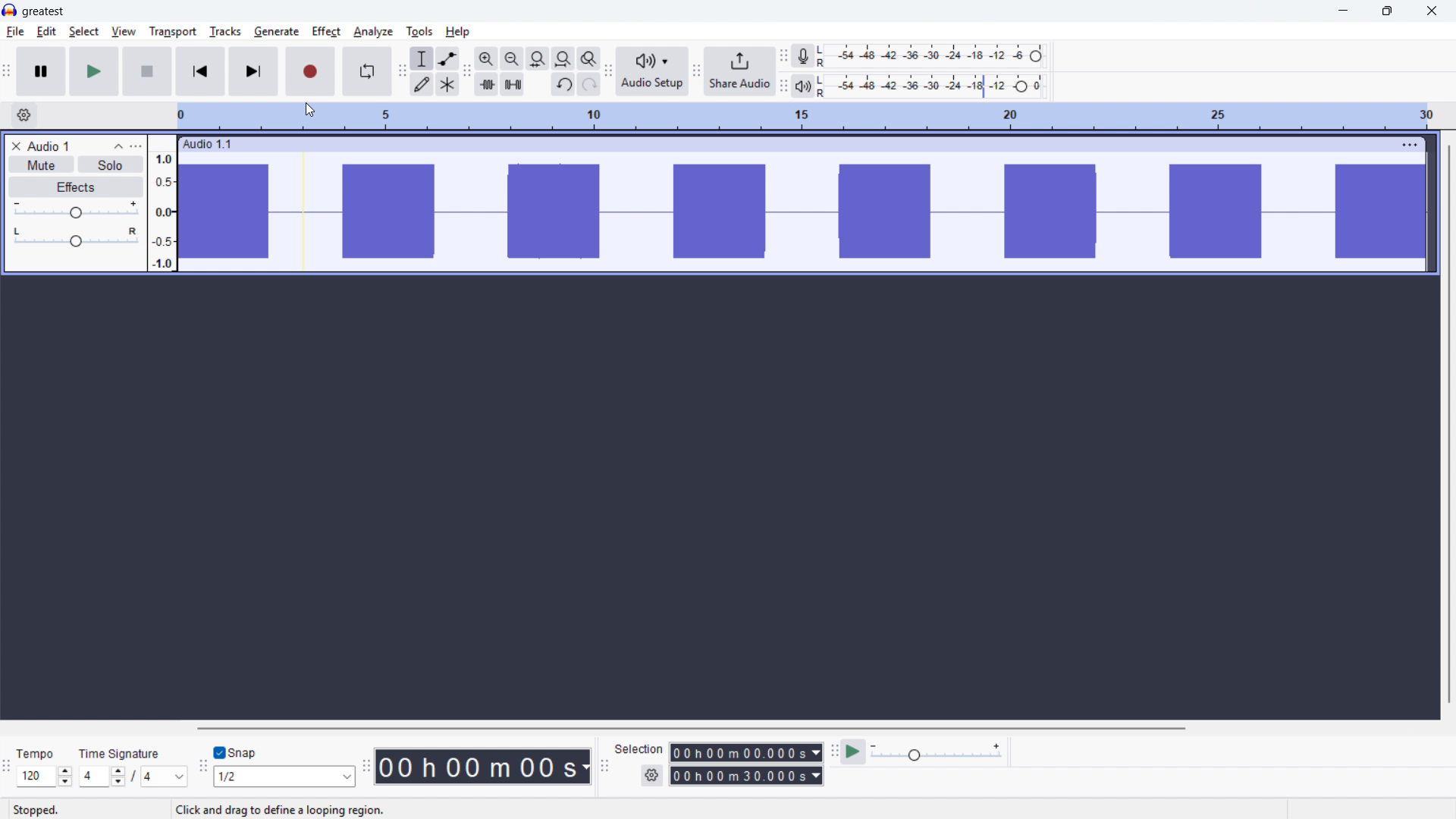 Image resolution: width=1456 pixels, height=819 pixels. Describe the element at coordinates (402, 73) in the screenshot. I see `tools toolbar` at that location.